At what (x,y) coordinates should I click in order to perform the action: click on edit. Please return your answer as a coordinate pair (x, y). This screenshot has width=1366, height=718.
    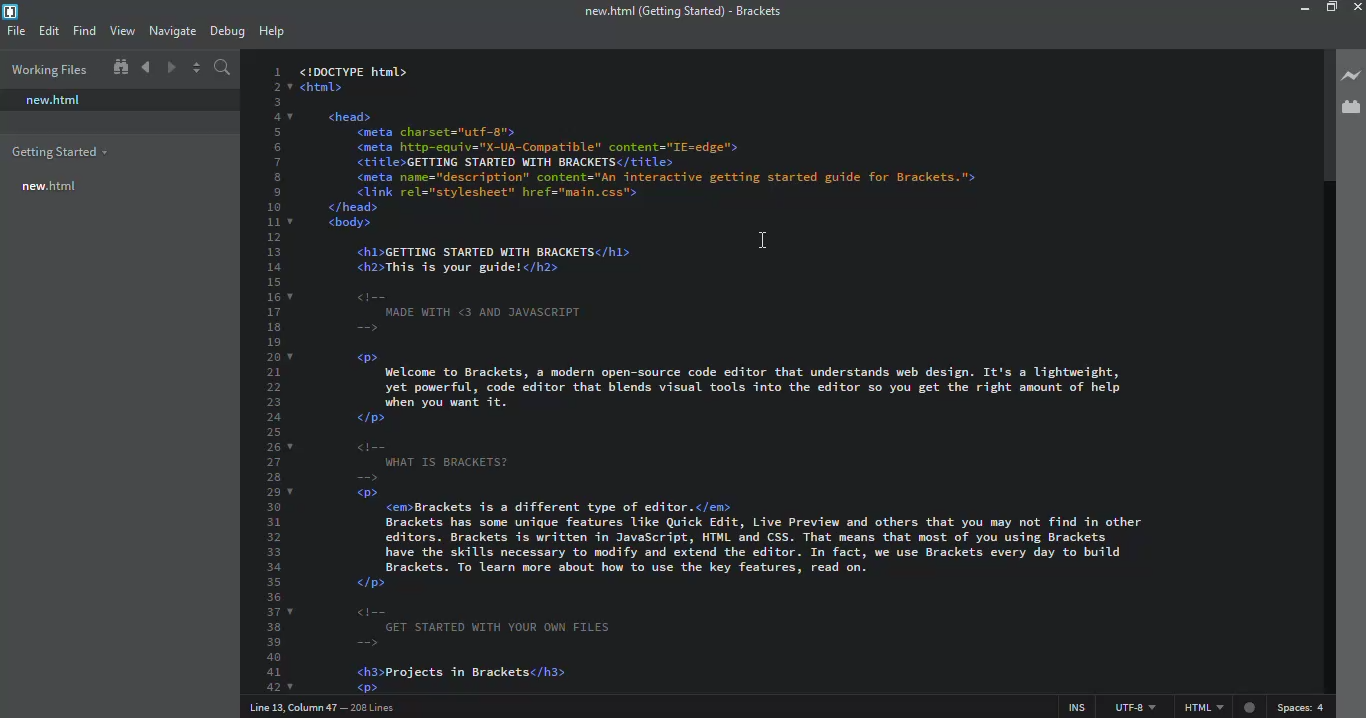
    Looking at the image, I should click on (49, 30).